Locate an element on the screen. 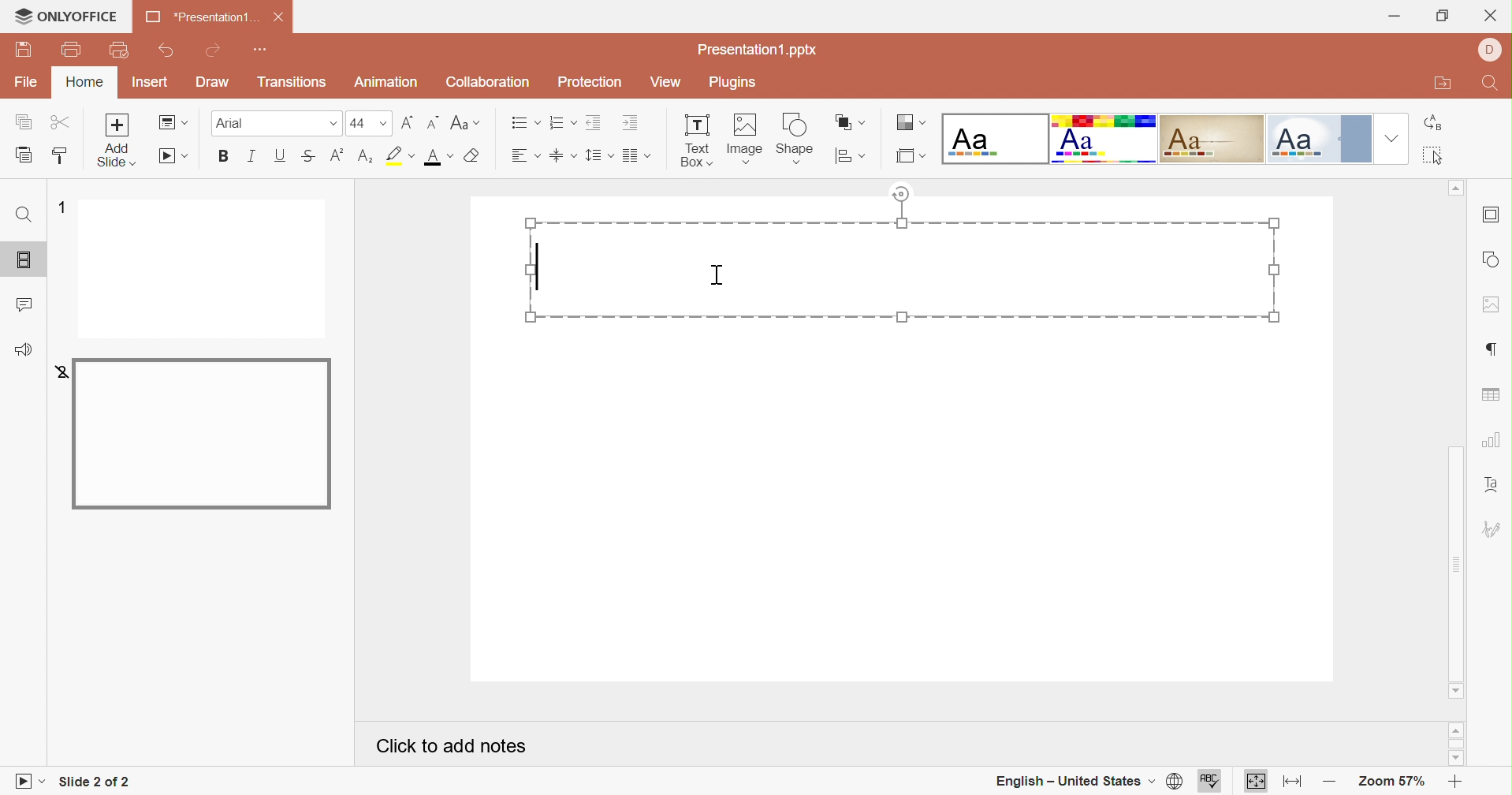  Open file location is located at coordinates (1439, 83).